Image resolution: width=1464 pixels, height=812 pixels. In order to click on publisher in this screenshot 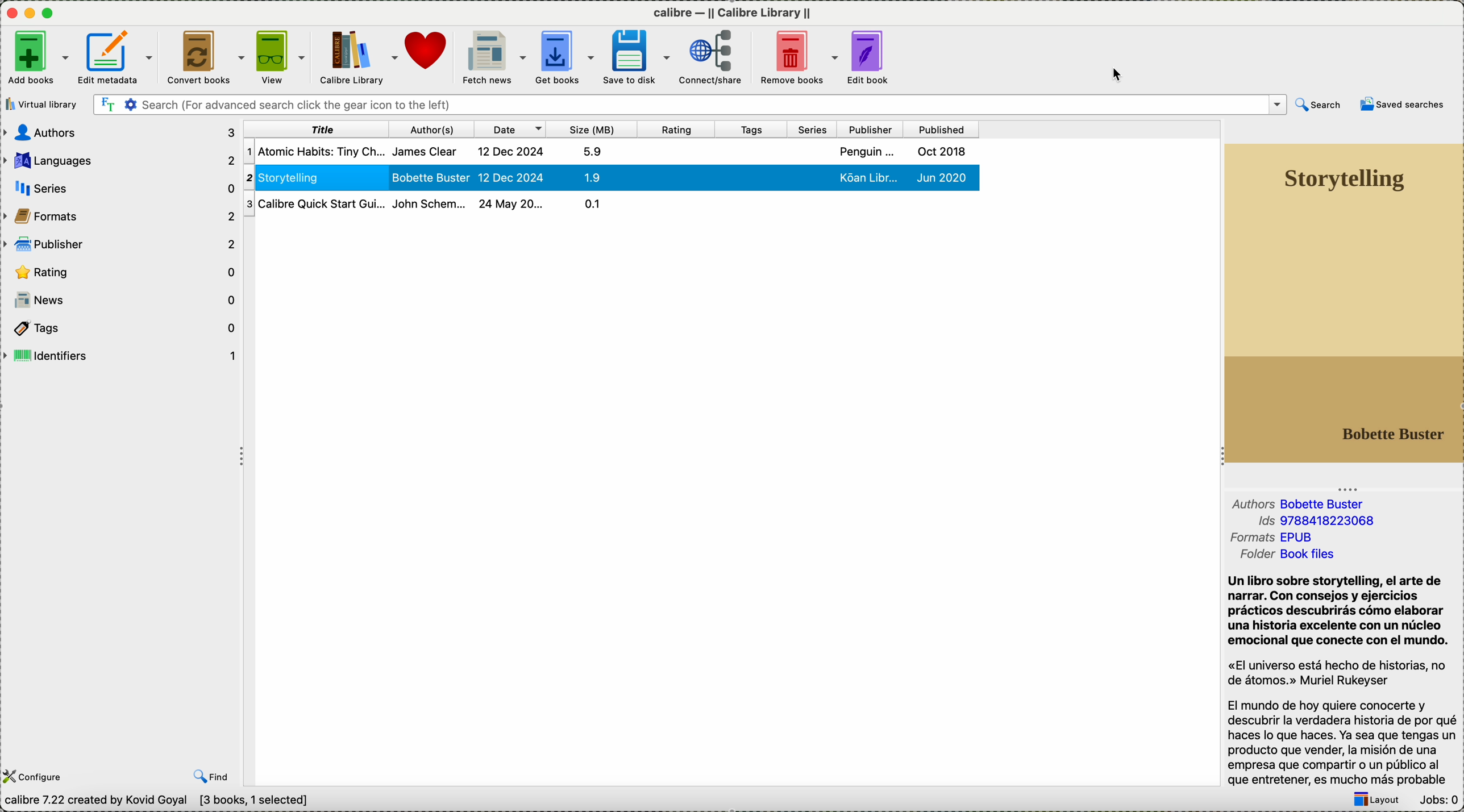, I will do `click(870, 130)`.